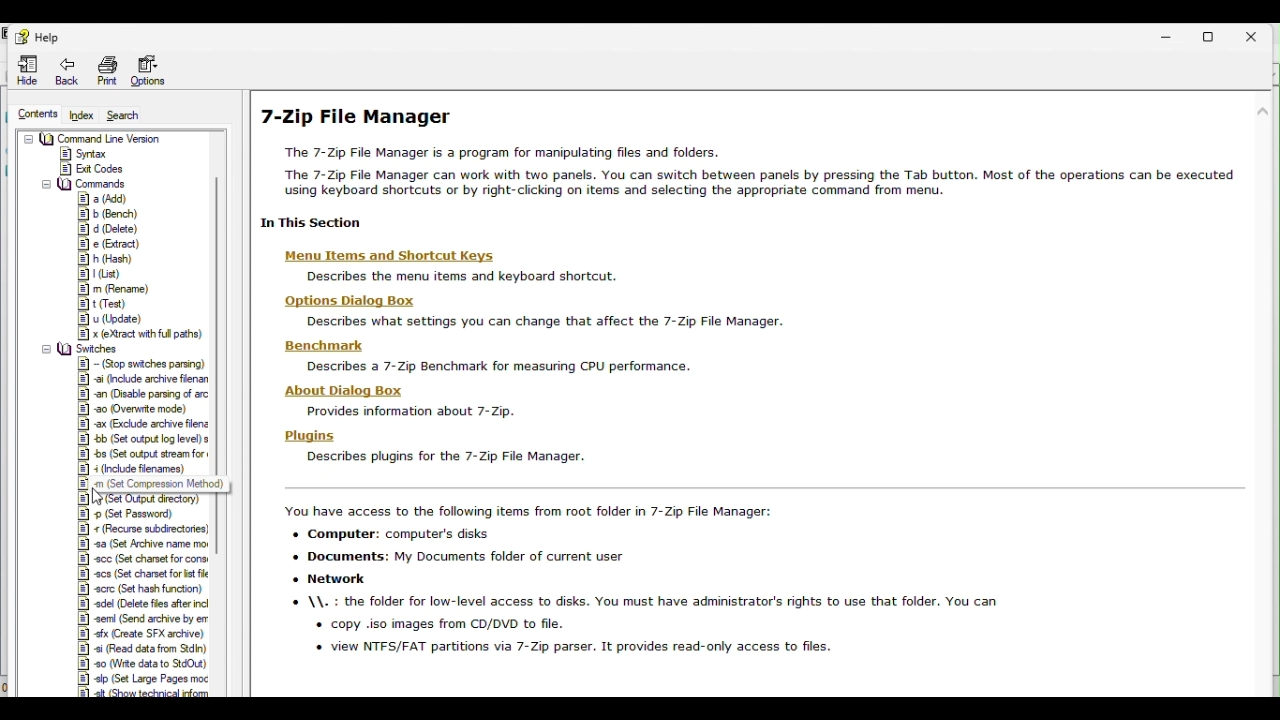  I want to click on stop parsing, so click(141, 364).